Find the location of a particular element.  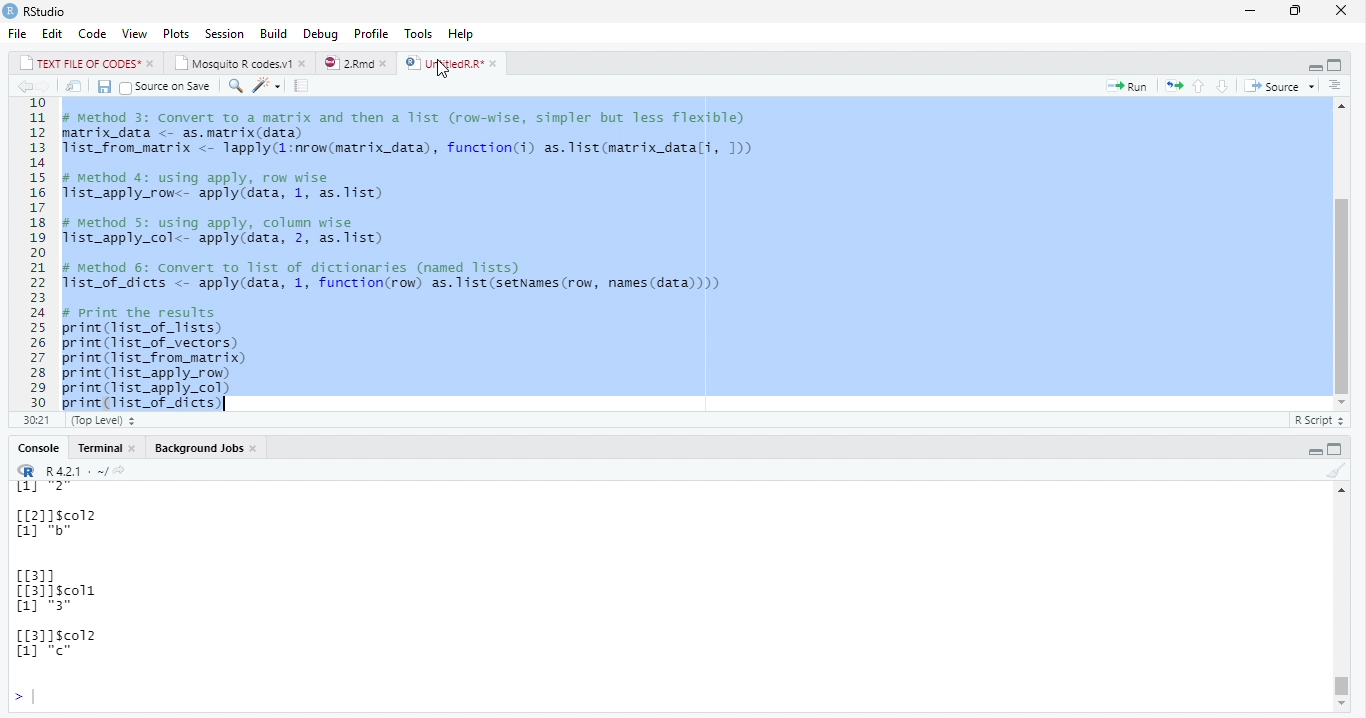

typing cursor is located at coordinates (41, 697).